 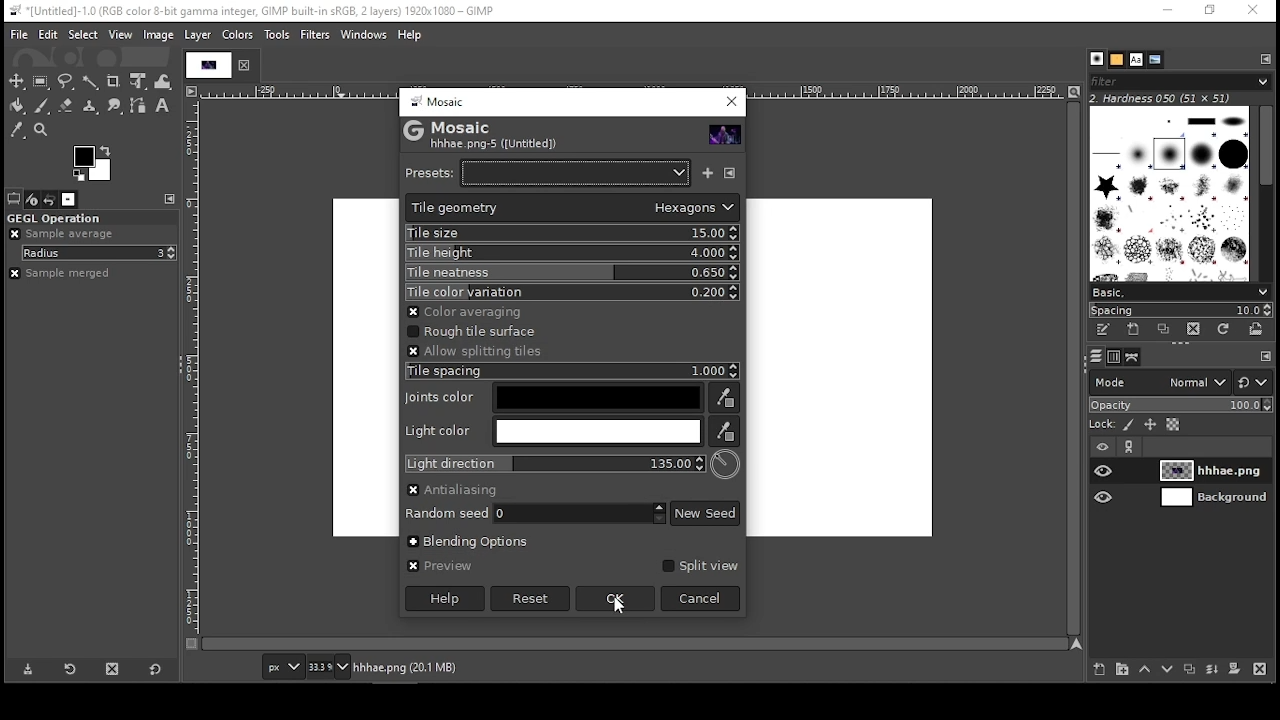 What do you see at coordinates (410, 36) in the screenshot?
I see `help` at bounding box center [410, 36].